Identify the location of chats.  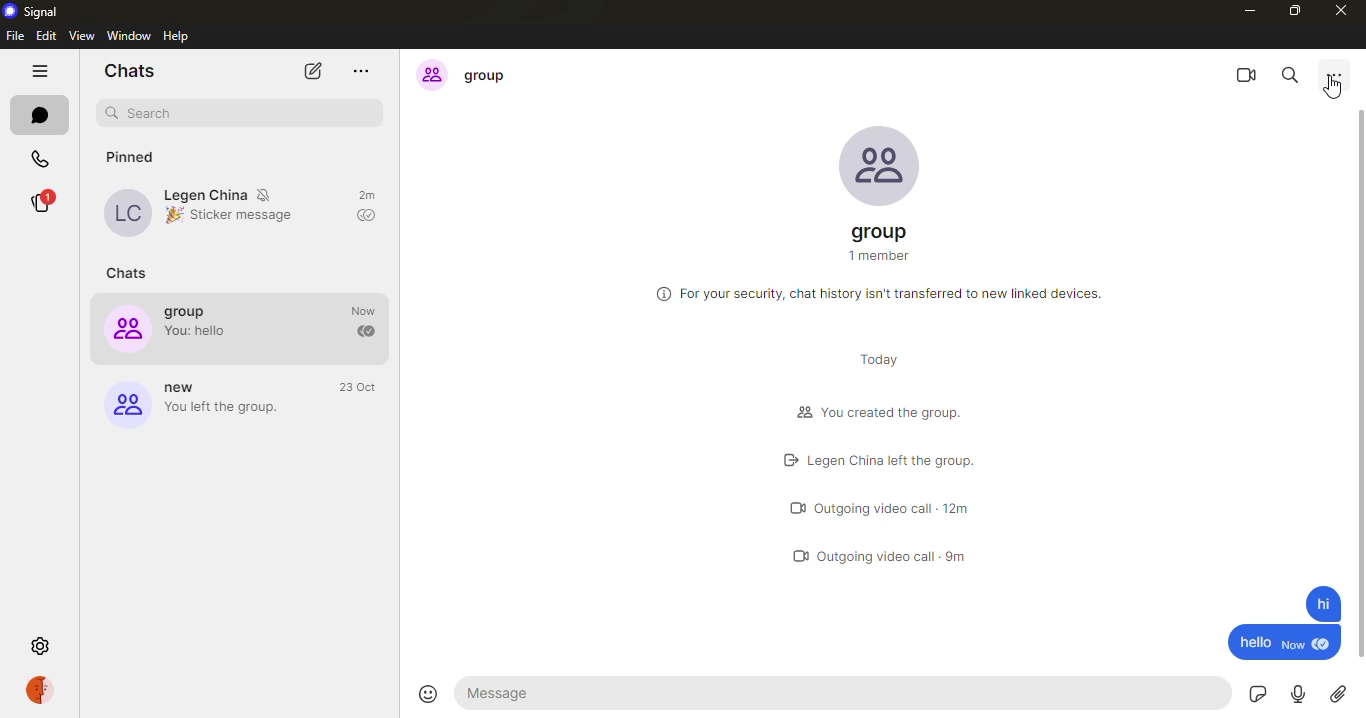
(128, 72).